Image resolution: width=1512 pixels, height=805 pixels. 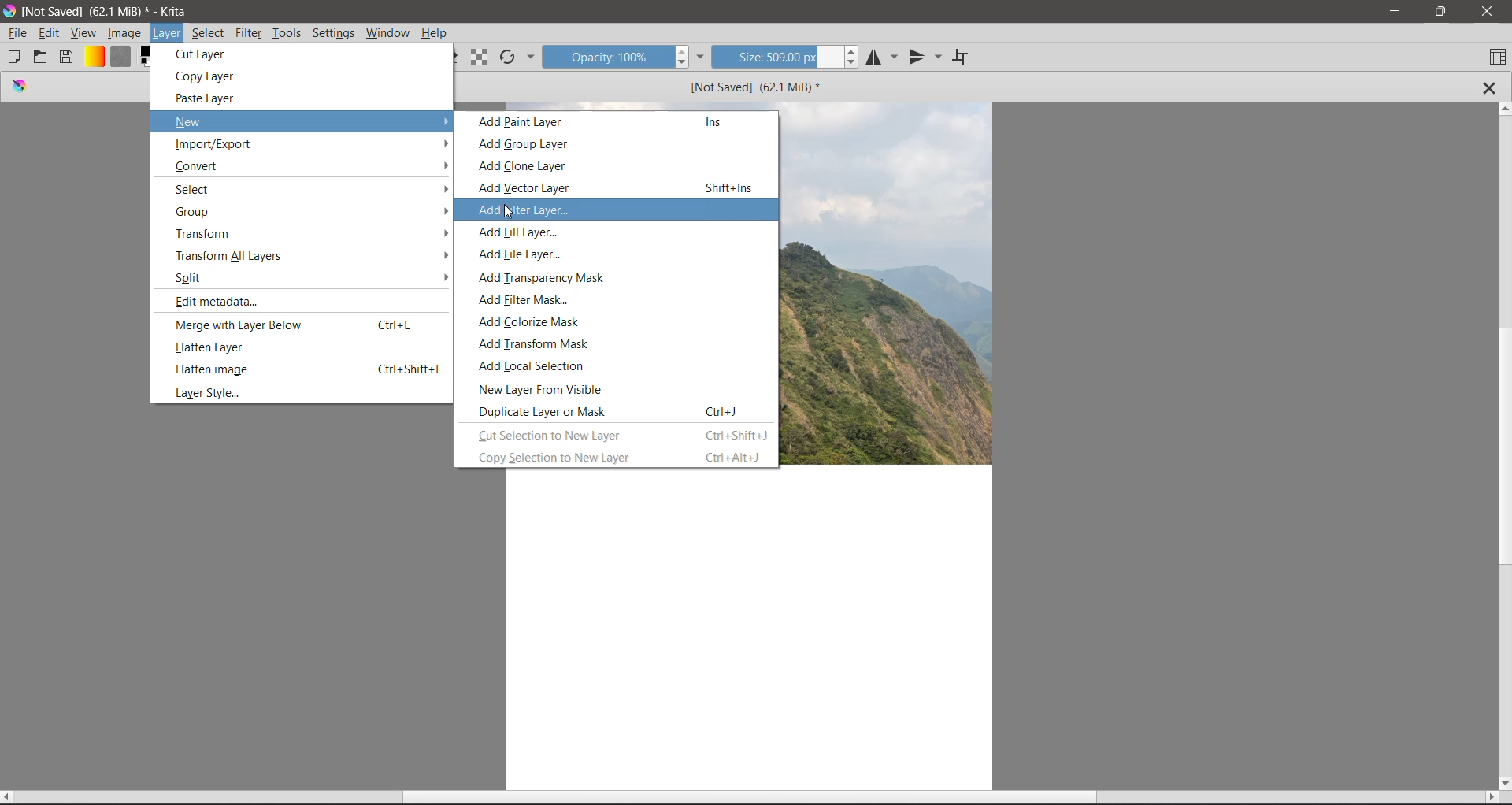 What do you see at coordinates (17, 33) in the screenshot?
I see `File` at bounding box center [17, 33].